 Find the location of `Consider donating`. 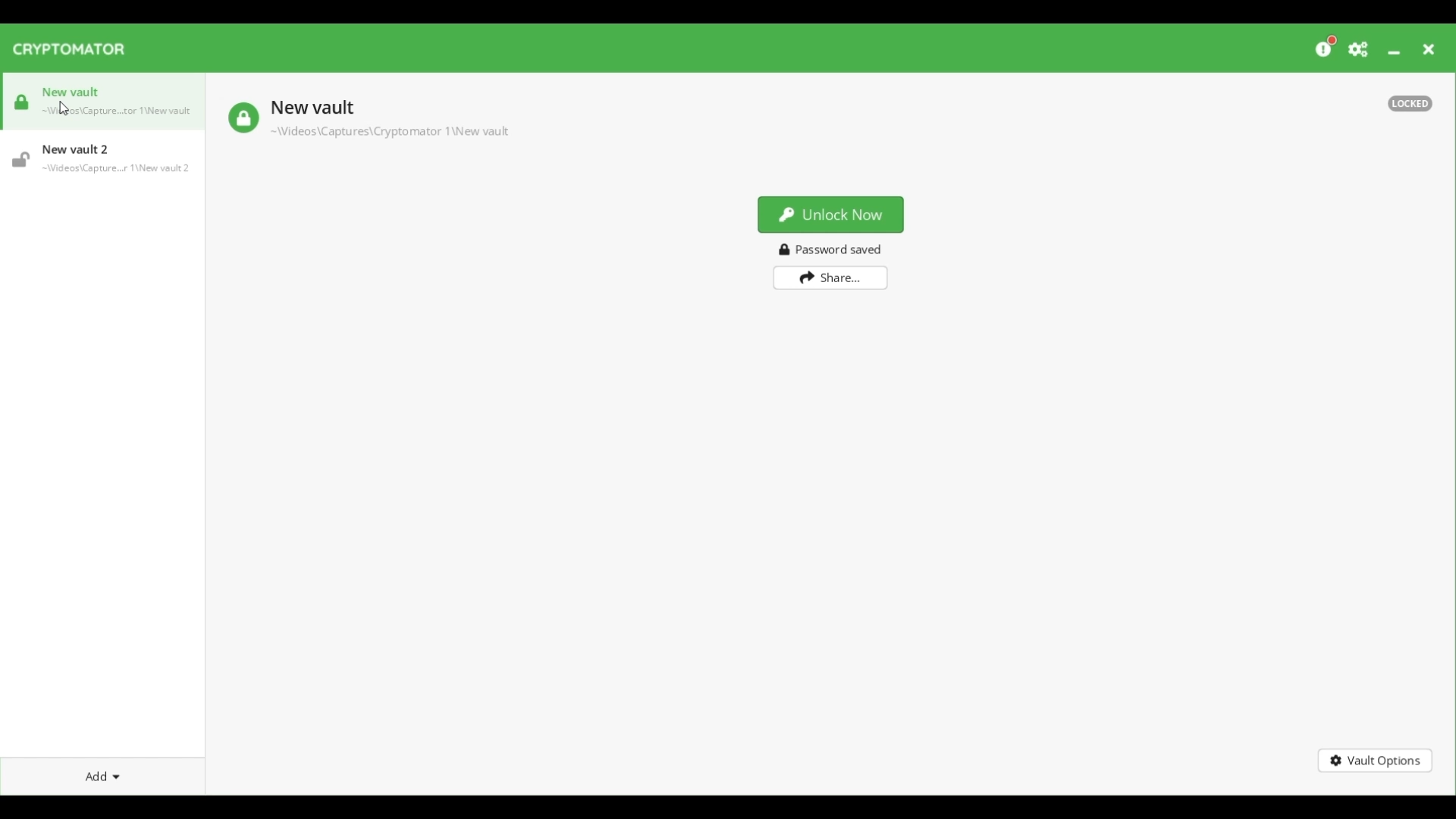

Consider donating is located at coordinates (1327, 45).